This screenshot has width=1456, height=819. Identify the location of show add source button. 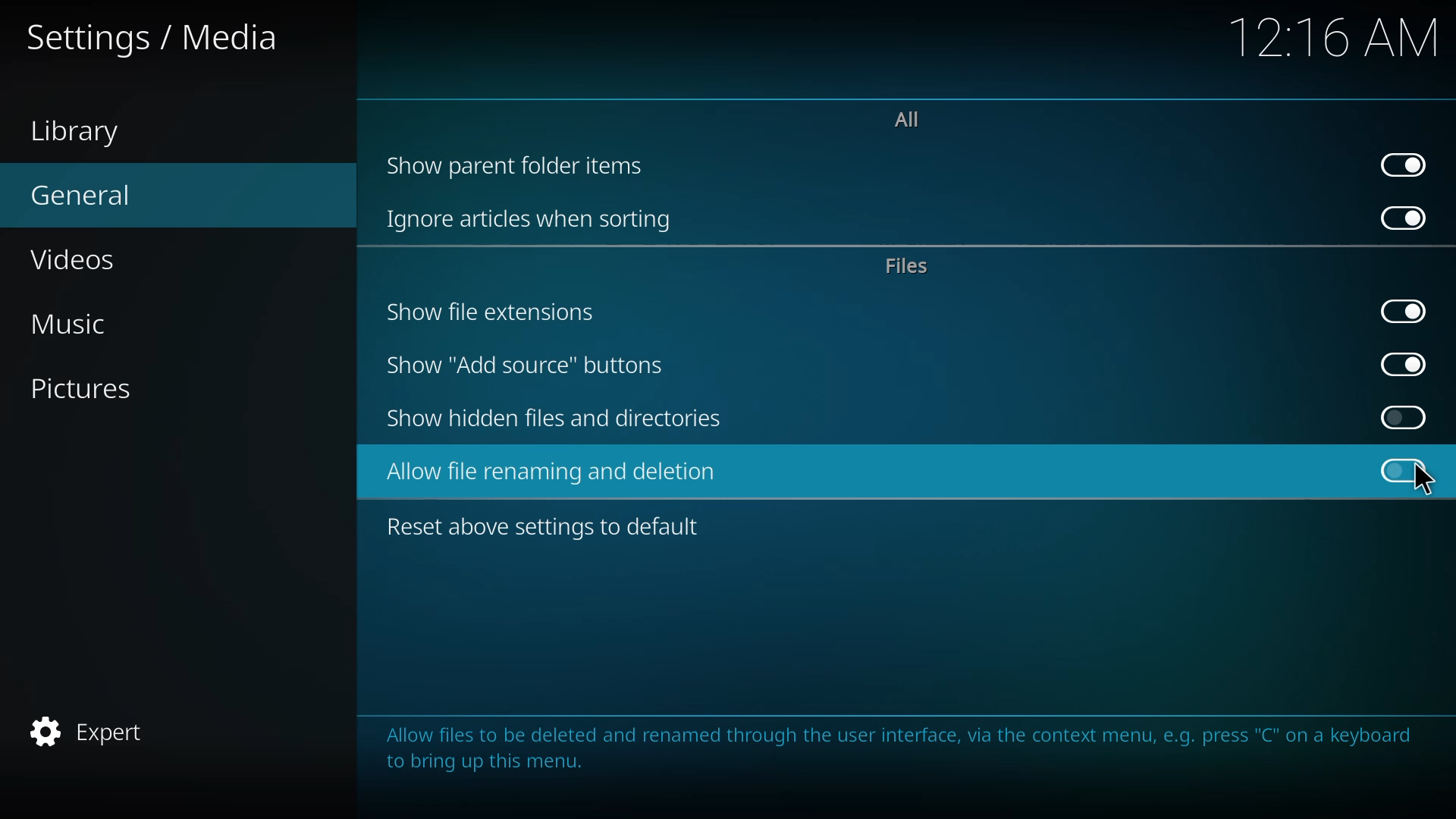
(530, 365).